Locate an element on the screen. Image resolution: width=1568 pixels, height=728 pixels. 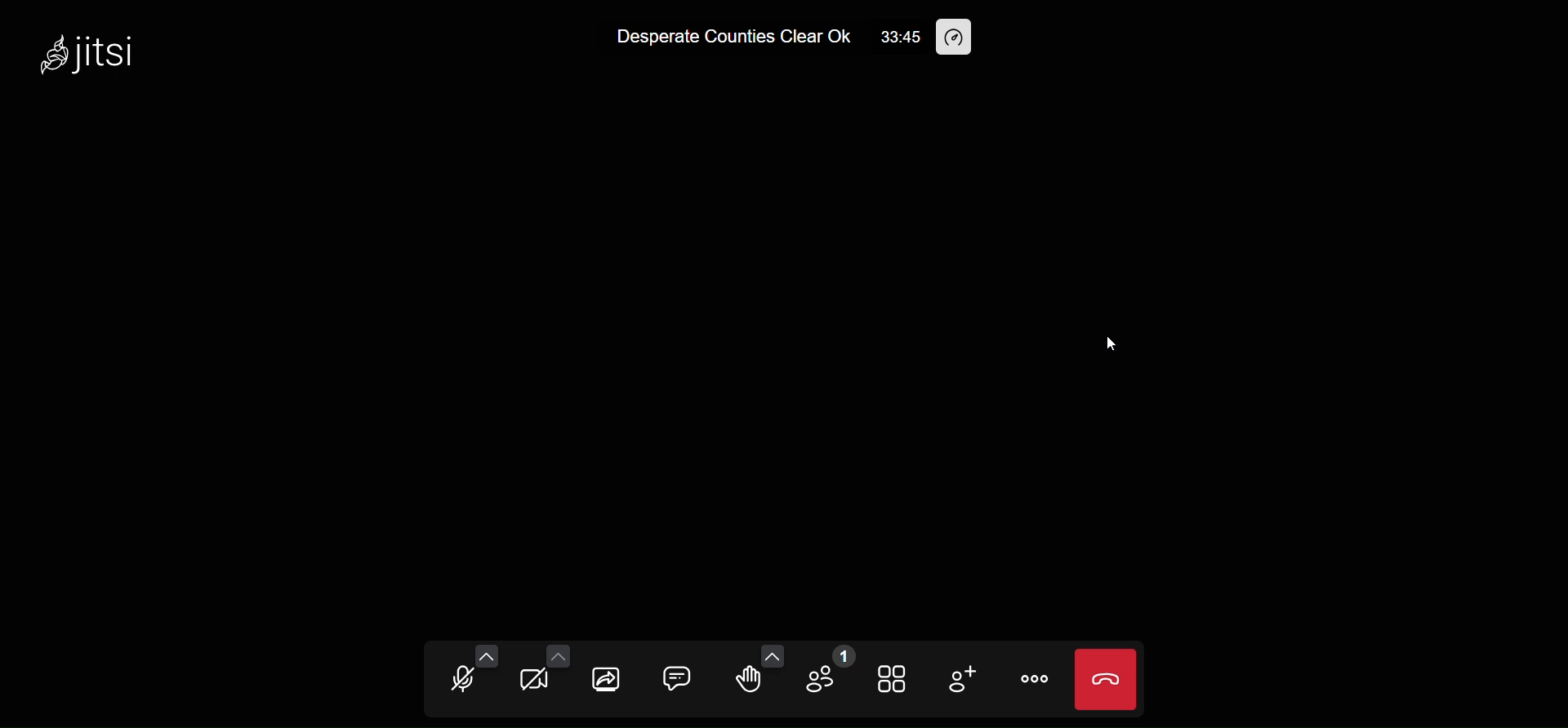
chat is located at coordinates (675, 674).